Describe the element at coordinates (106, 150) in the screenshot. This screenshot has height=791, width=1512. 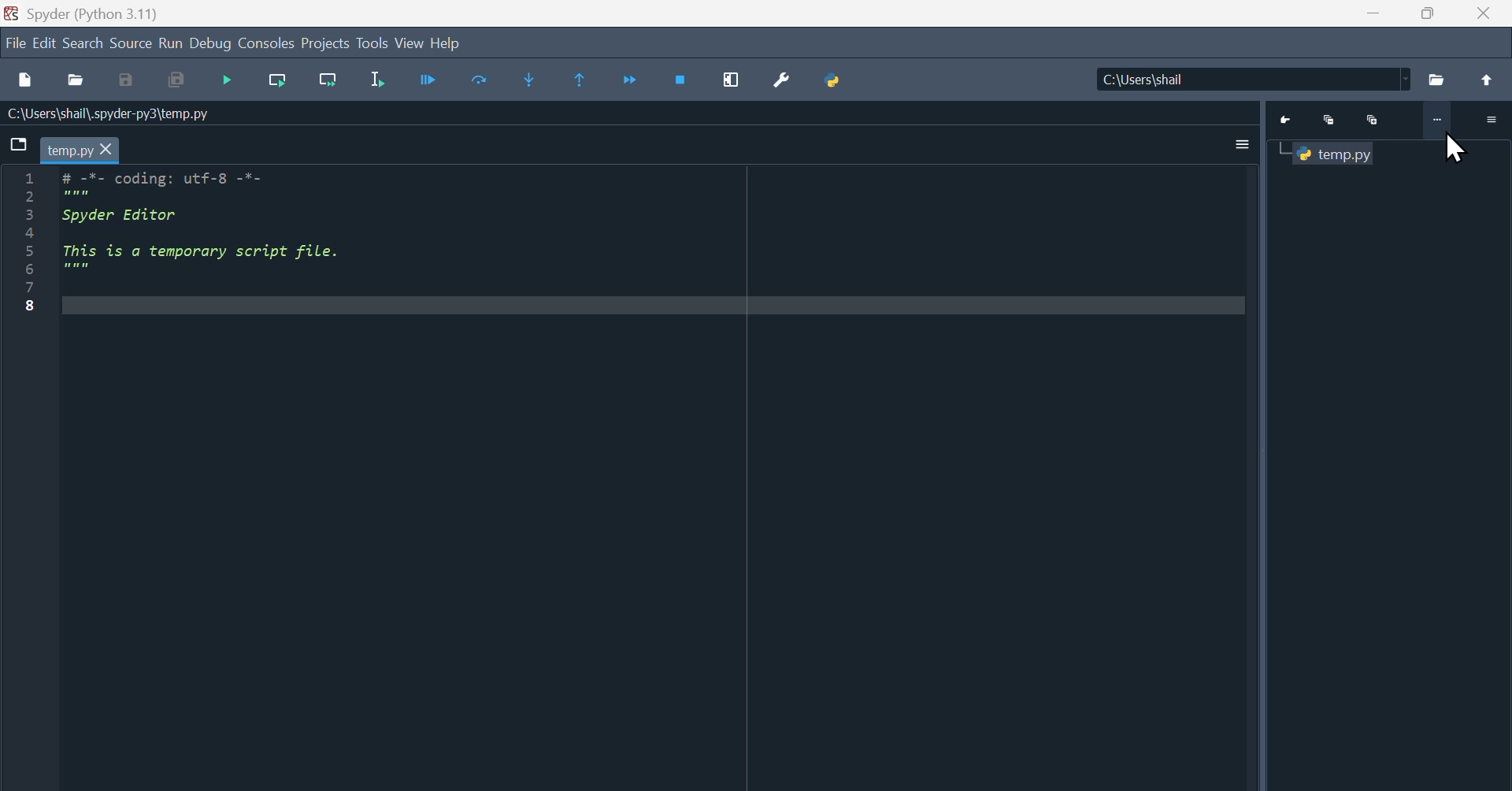
I see `cursor` at that location.